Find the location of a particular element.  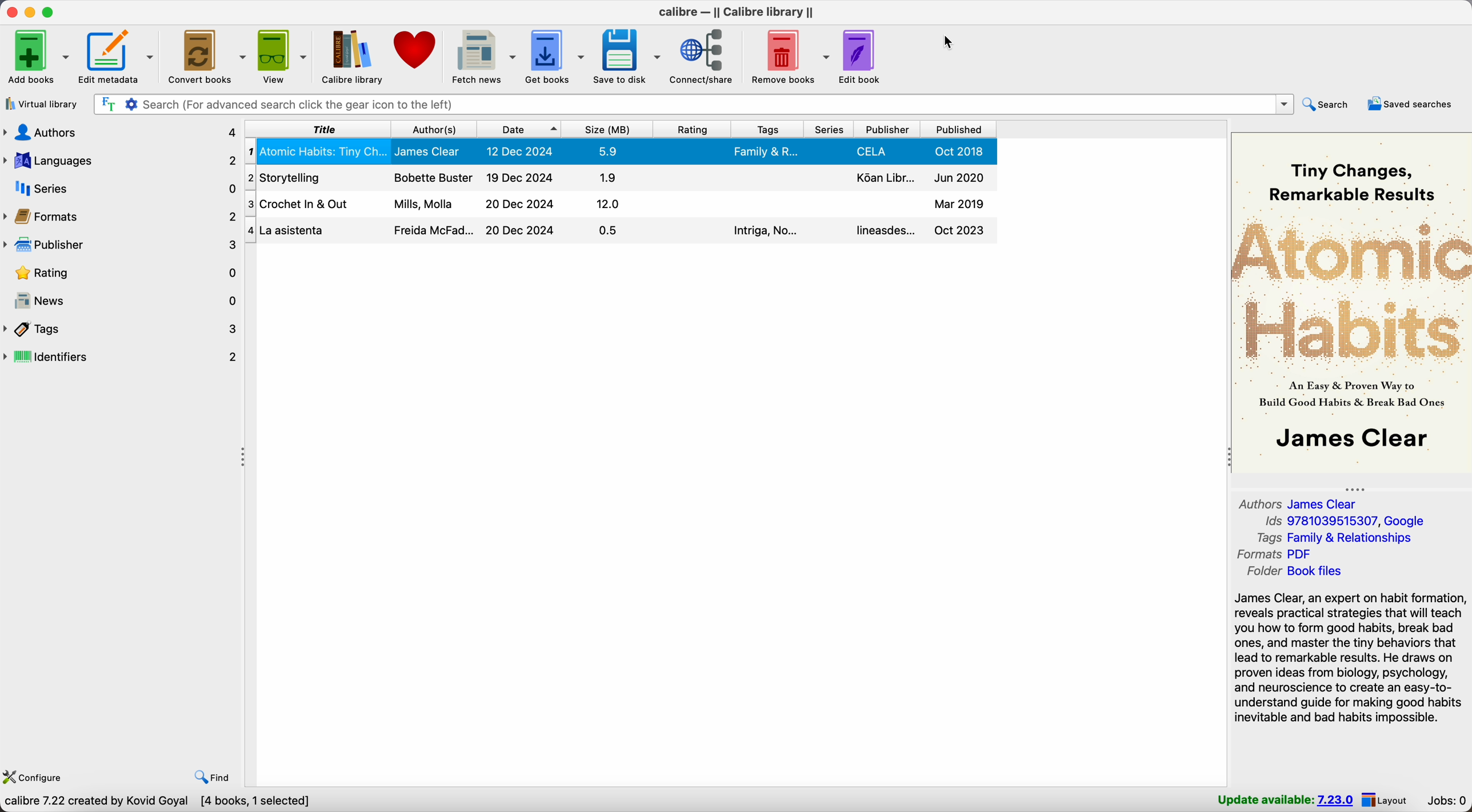

series is located at coordinates (122, 189).